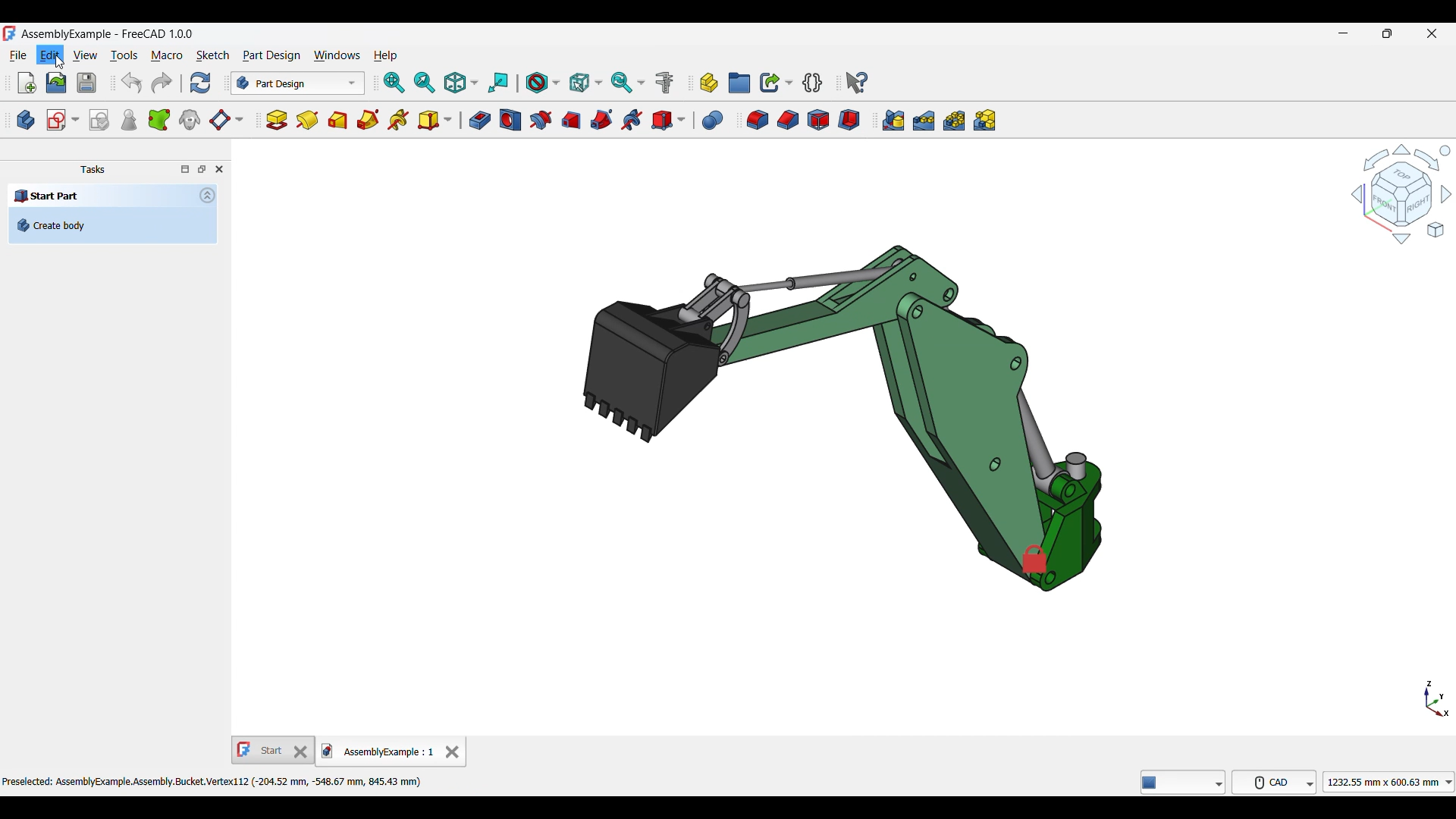 The width and height of the screenshot is (1456, 819). Describe the element at coordinates (159, 120) in the screenshot. I see `Create a sub-object shape binder` at that location.